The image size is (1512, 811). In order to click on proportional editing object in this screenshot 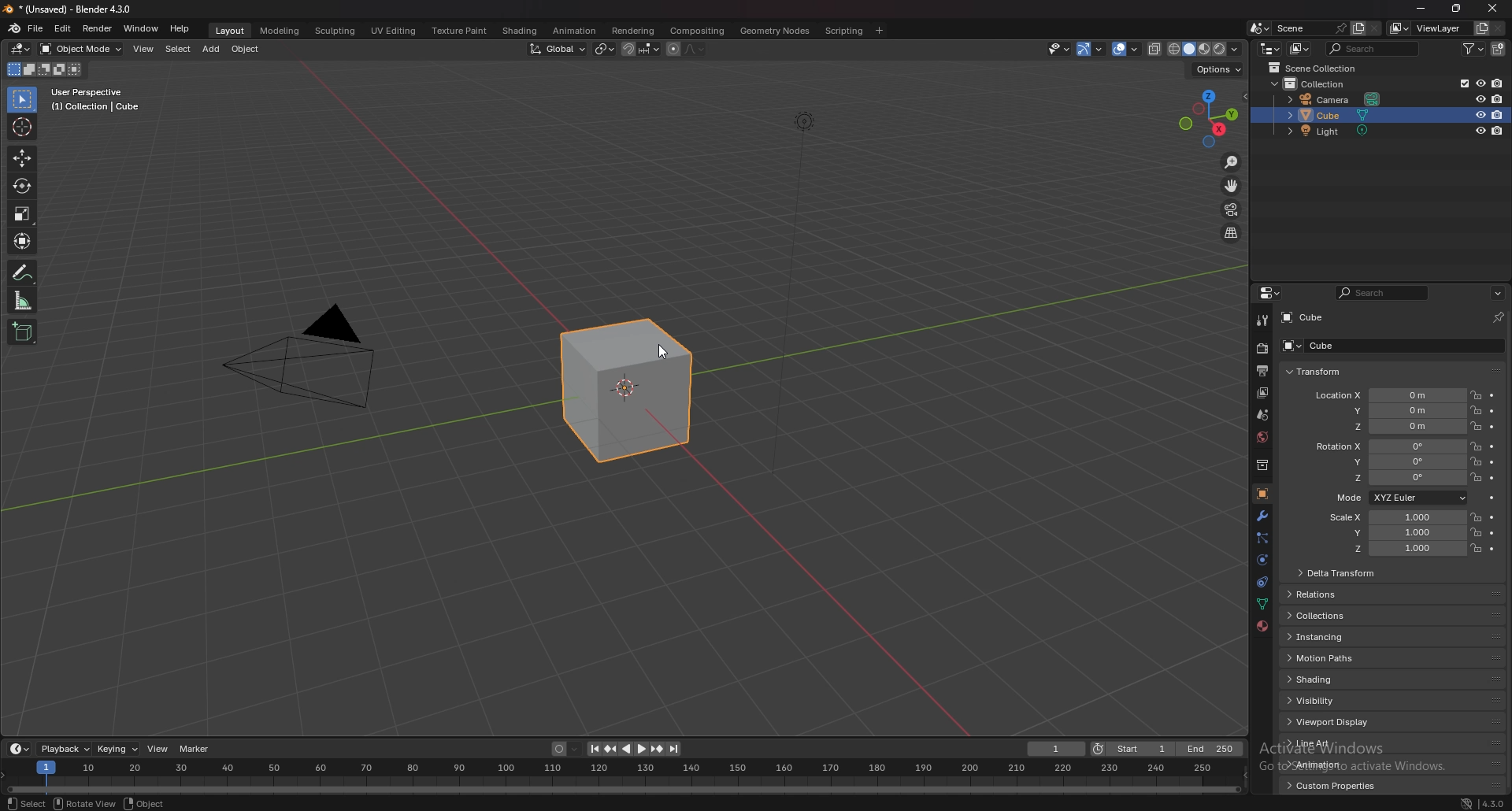, I will do `click(674, 50)`.